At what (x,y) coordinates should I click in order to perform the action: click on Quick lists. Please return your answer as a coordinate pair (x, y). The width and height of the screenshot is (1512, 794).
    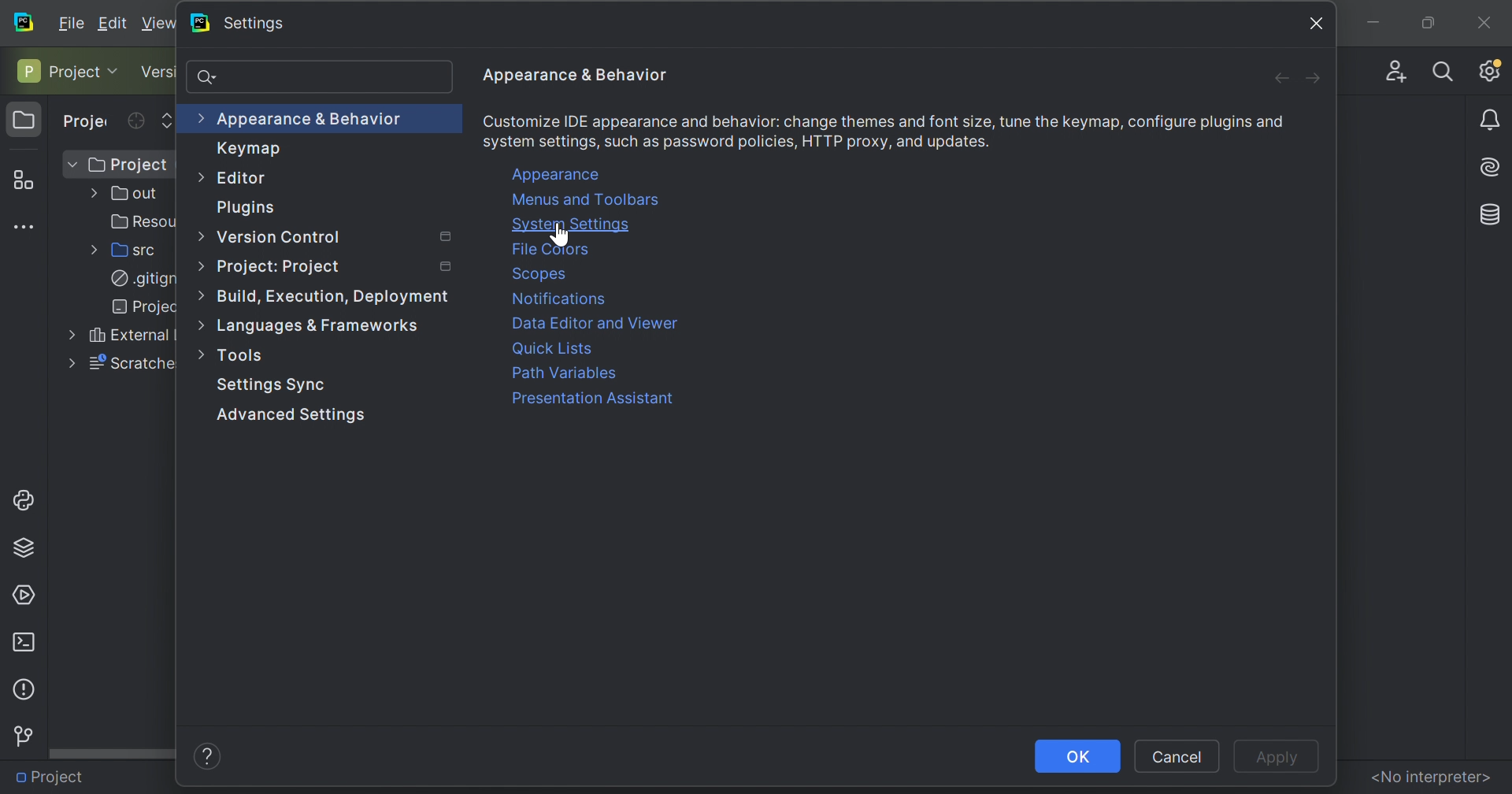
    Looking at the image, I should click on (556, 347).